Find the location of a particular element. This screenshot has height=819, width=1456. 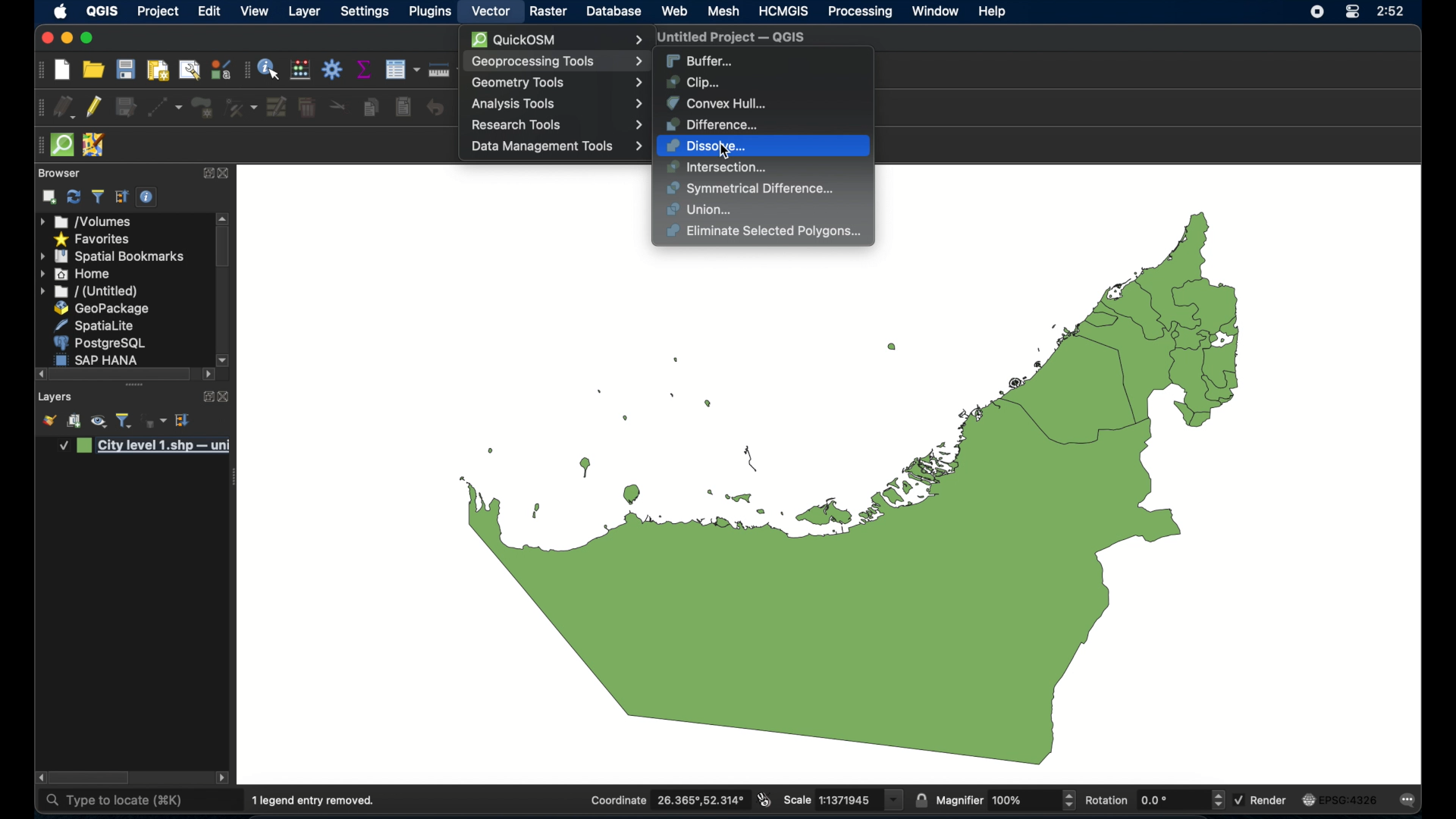

close is located at coordinates (224, 397).